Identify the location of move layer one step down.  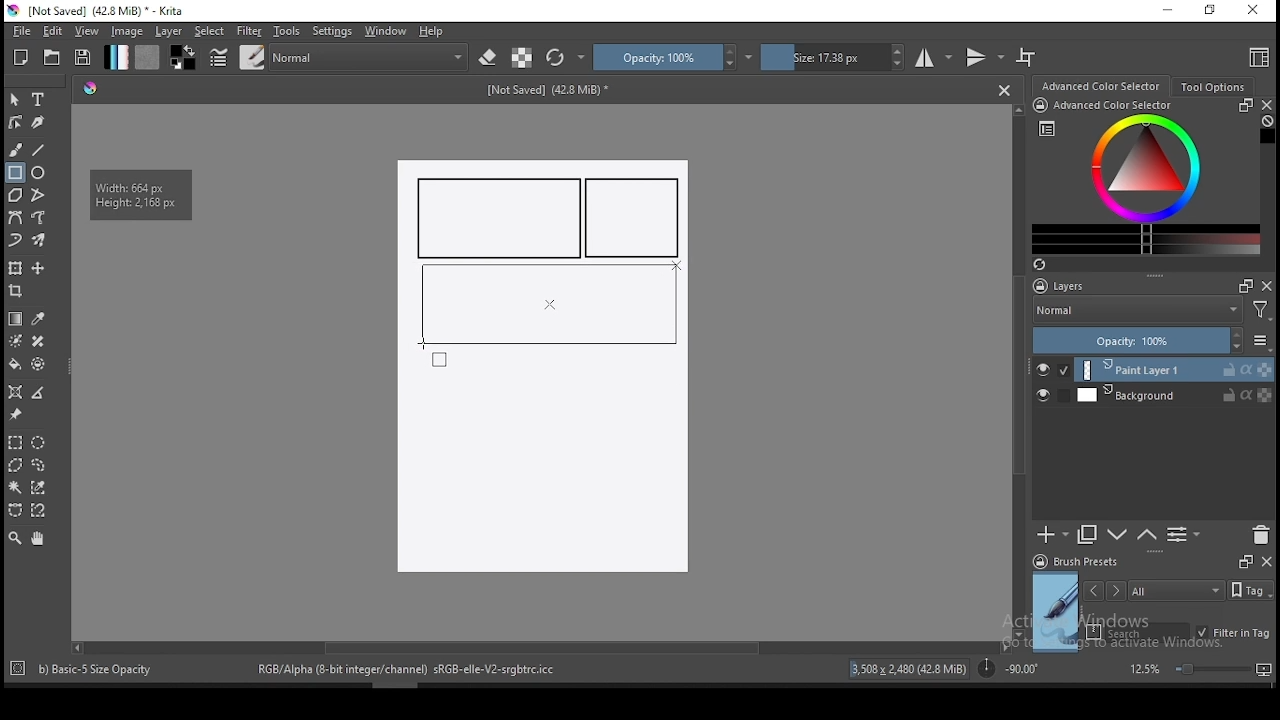
(1147, 535).